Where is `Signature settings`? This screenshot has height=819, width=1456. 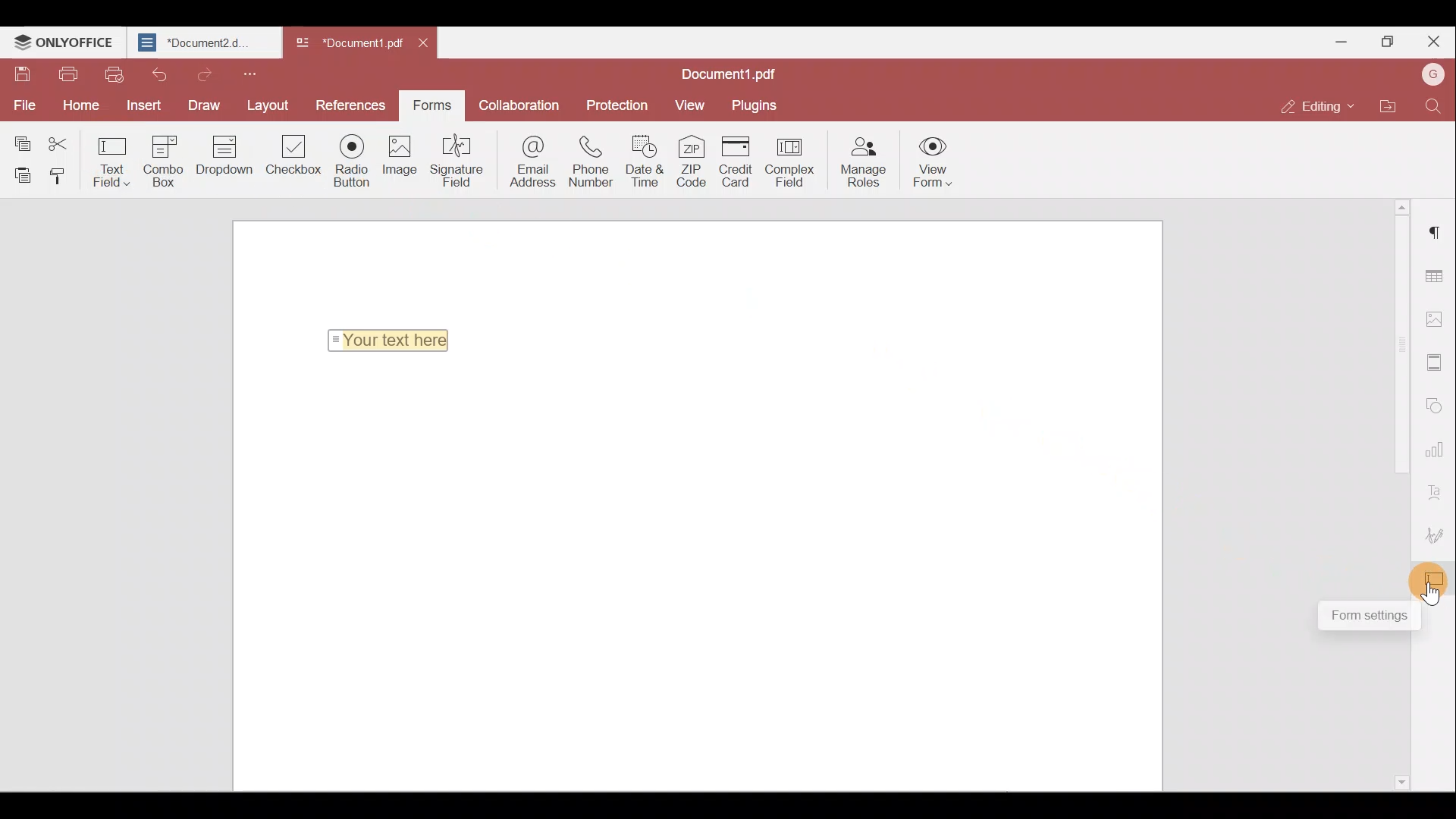
Signature settings is located at coordinates (1439, 532).